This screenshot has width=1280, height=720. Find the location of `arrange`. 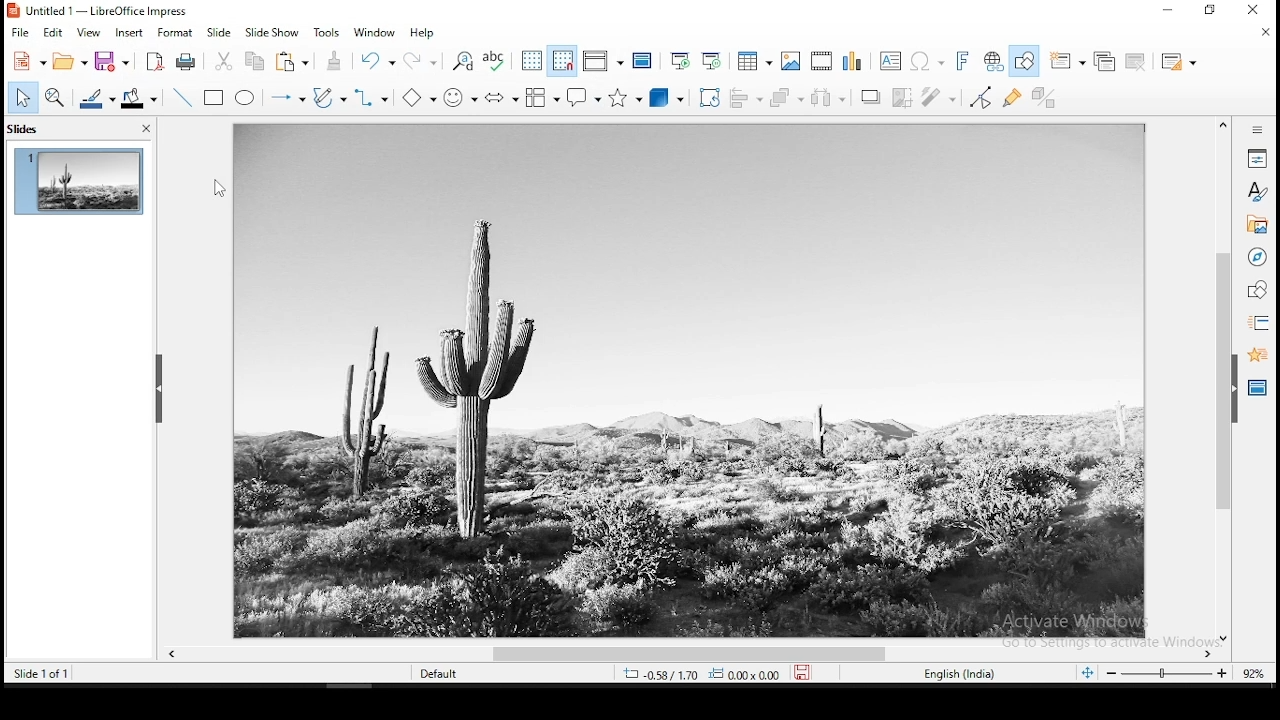

arrange is located at coordinates (787, 99).